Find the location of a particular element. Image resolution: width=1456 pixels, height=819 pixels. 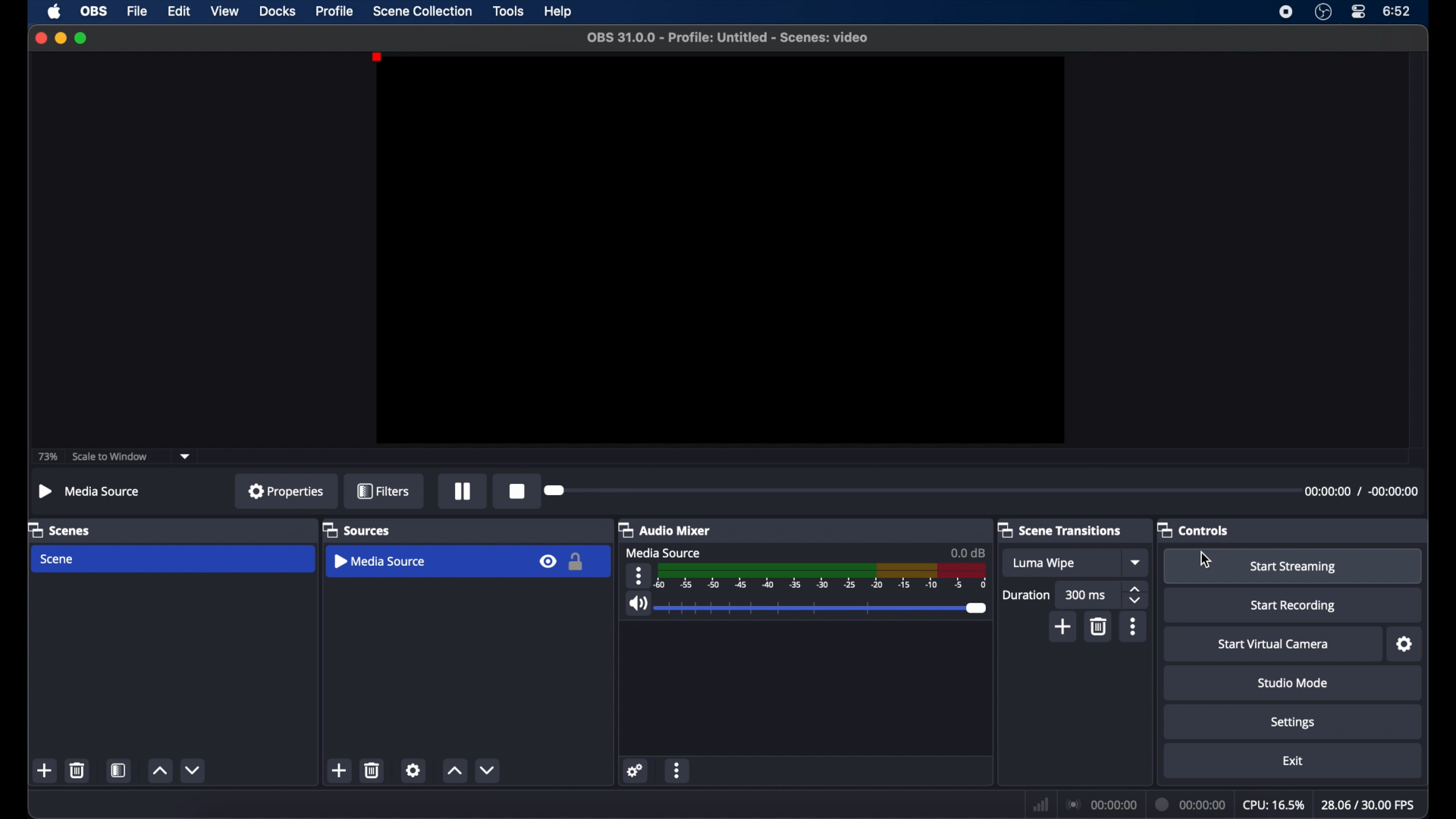

dropdown is located at coordinates (1137, 562).